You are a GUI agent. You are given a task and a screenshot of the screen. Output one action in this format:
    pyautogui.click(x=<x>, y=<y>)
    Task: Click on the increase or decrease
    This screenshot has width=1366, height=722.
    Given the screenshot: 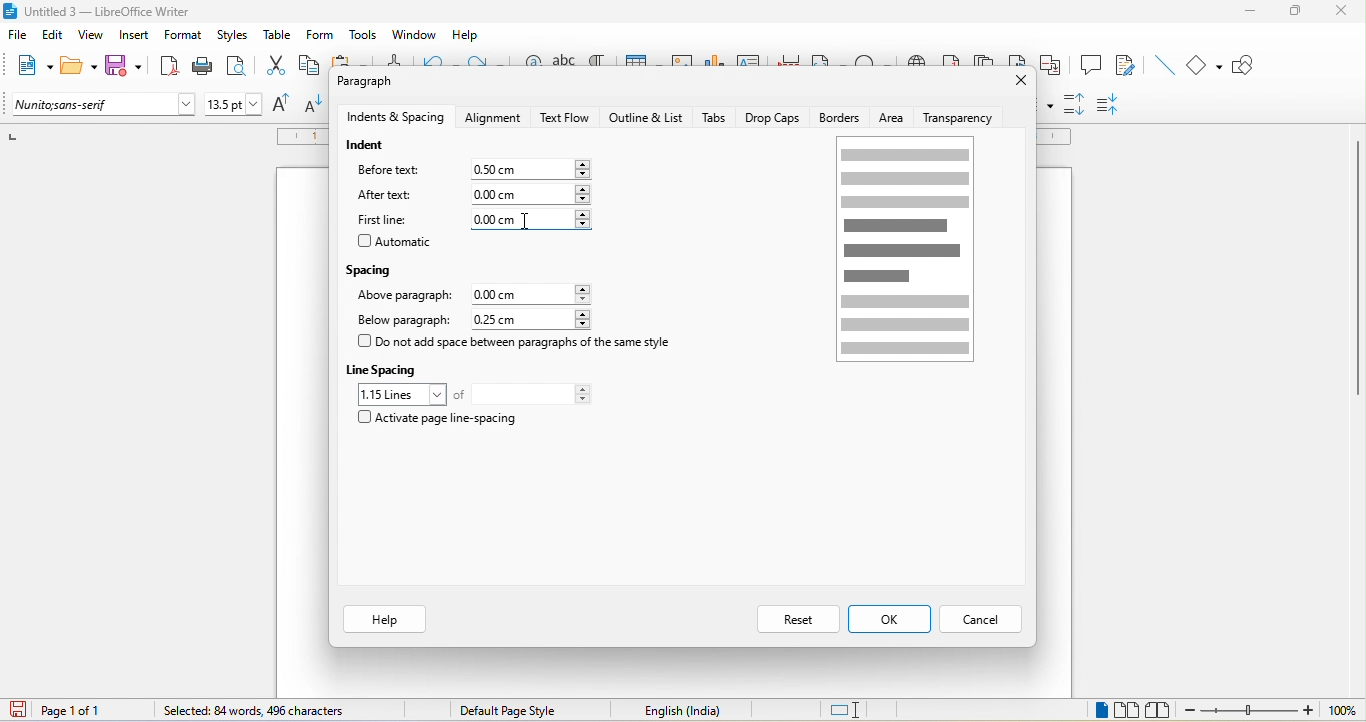 What is the action you would take?
    pyautogui.click(x=583, y=220)
    